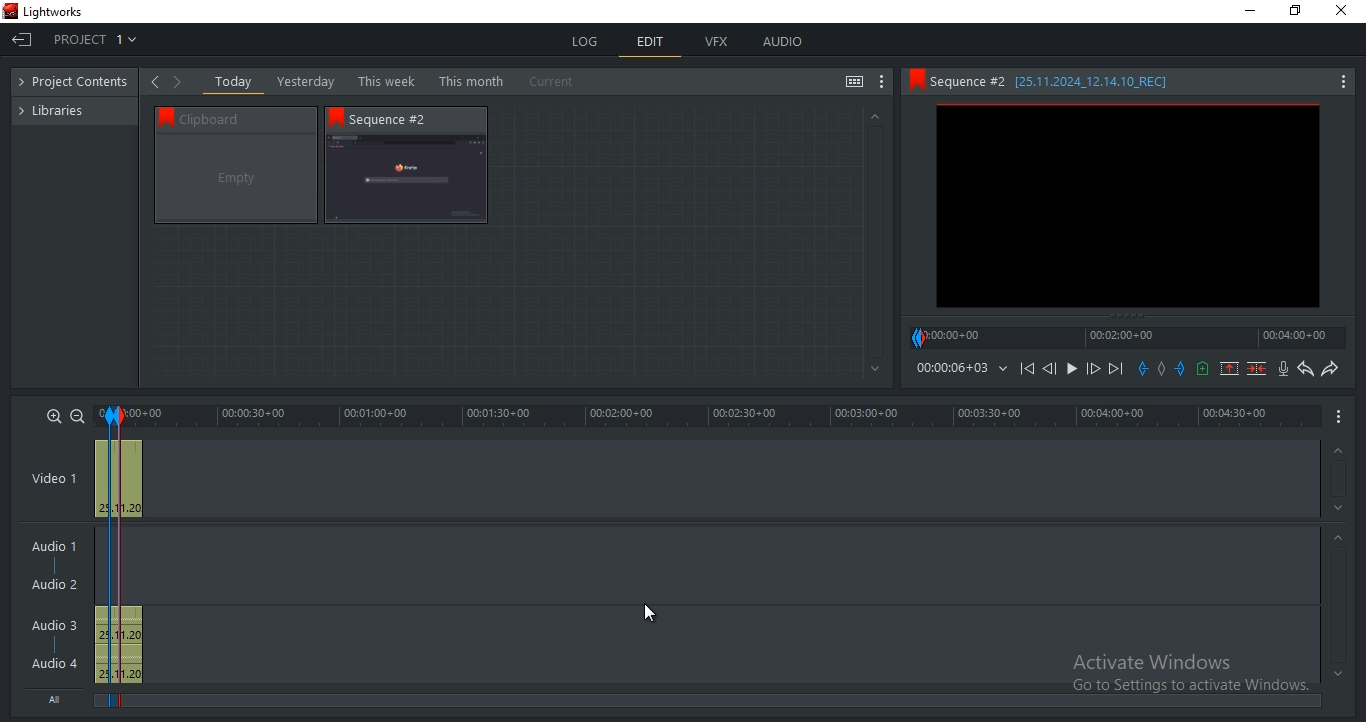  Describe the element at coordinates (118, 645) in the screenshot. I see `audio` at that location.